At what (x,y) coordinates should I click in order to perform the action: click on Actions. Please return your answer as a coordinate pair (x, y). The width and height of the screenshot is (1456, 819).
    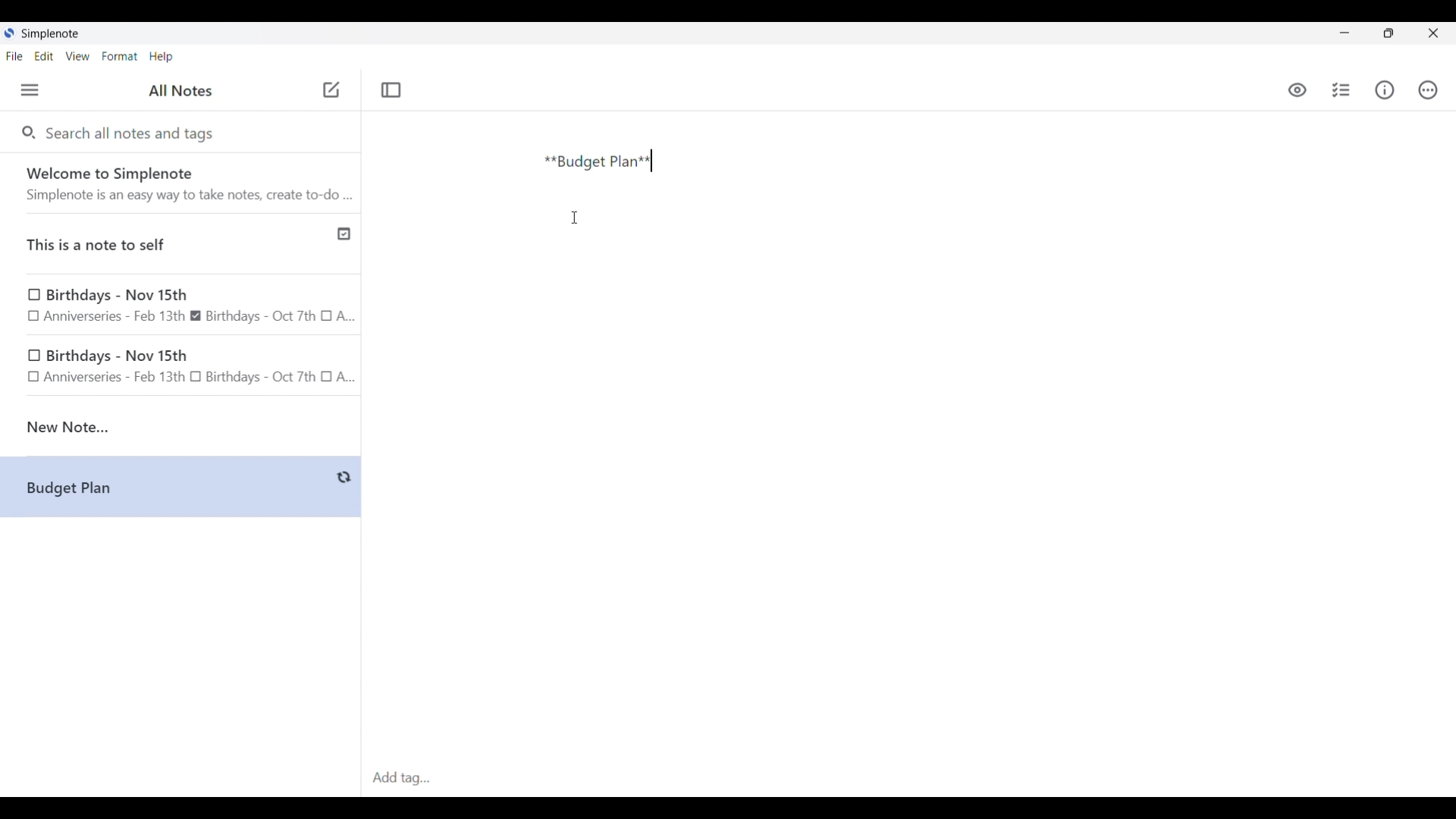
    Looking at the image, I should click on (1427, 90).